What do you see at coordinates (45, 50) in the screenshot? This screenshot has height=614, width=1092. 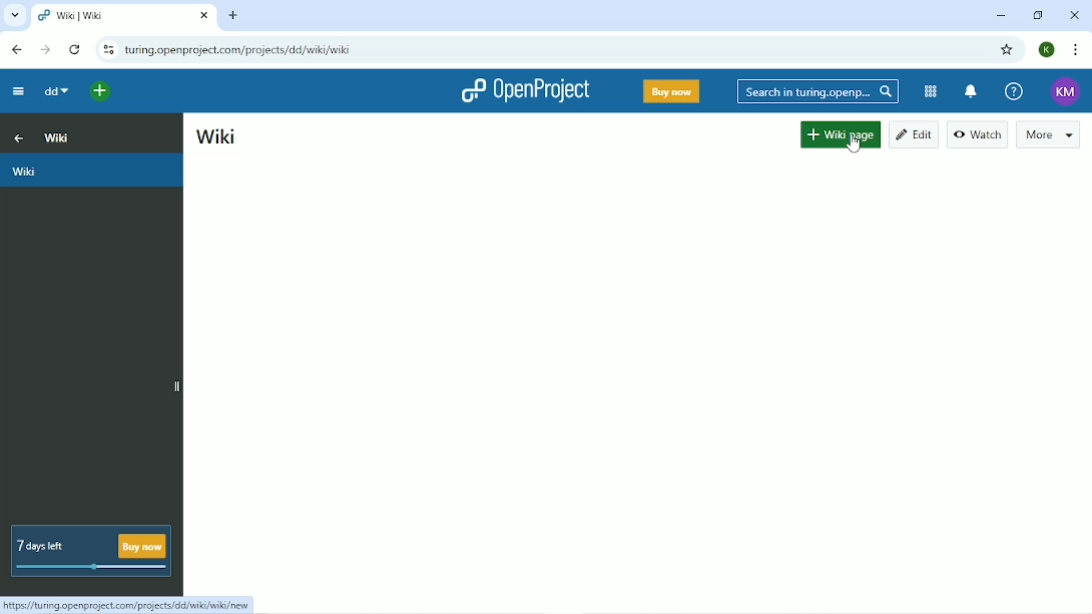 I see `Forward` at bounding box center [45, 50].